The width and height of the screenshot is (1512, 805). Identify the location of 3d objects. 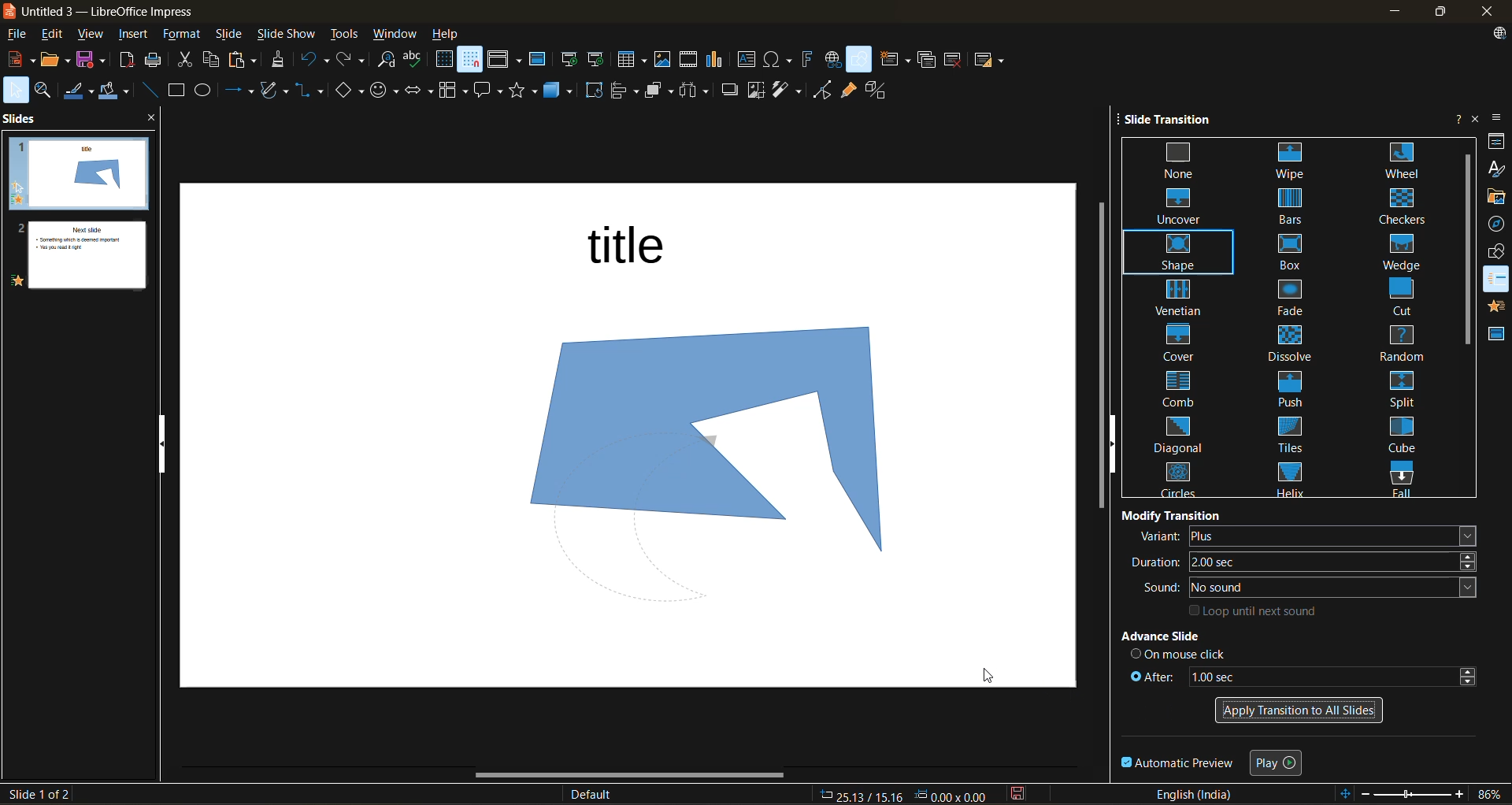
(562, 90).